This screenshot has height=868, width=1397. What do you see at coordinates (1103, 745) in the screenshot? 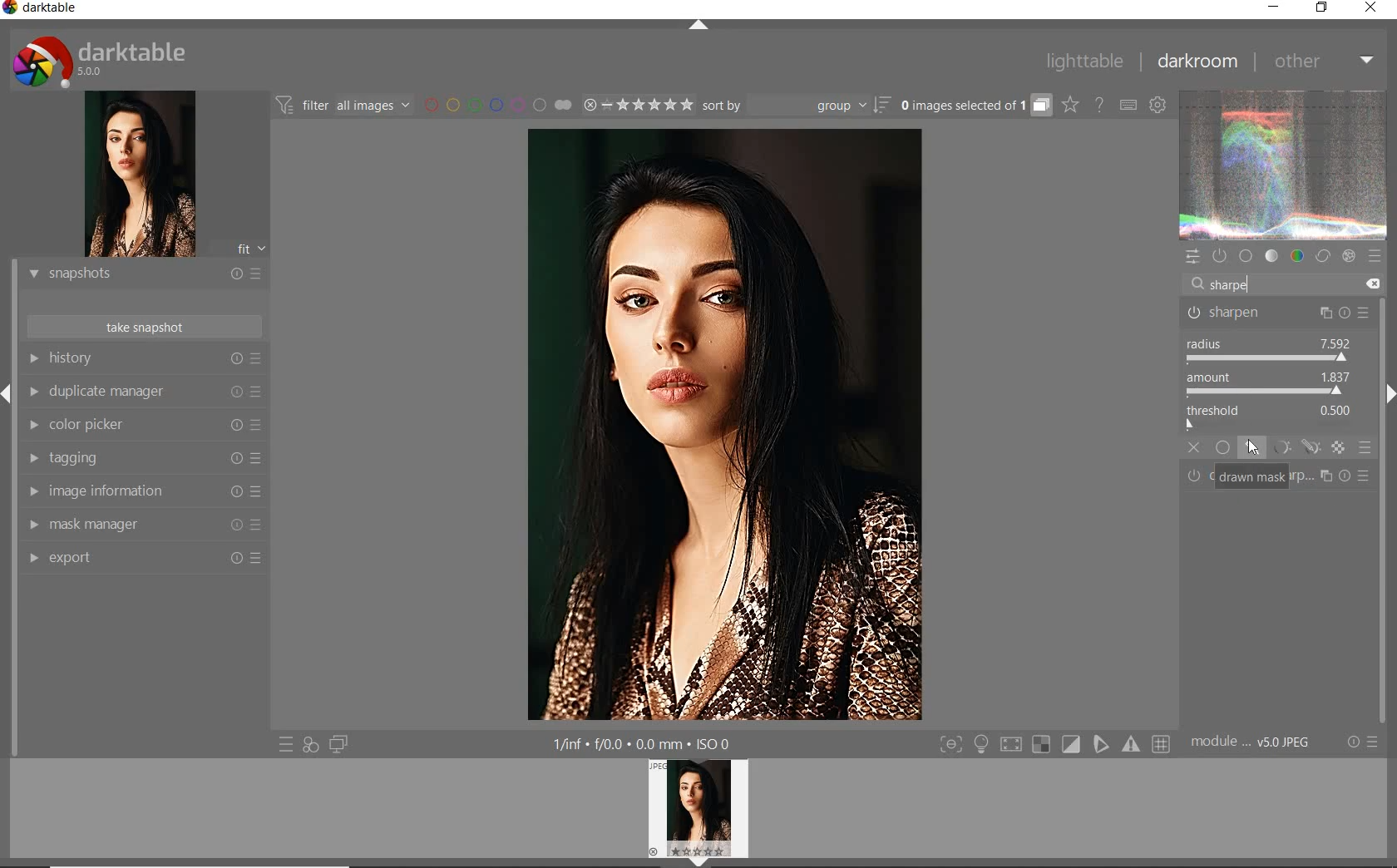
I see `sign` at bounding box center [1103, 745].